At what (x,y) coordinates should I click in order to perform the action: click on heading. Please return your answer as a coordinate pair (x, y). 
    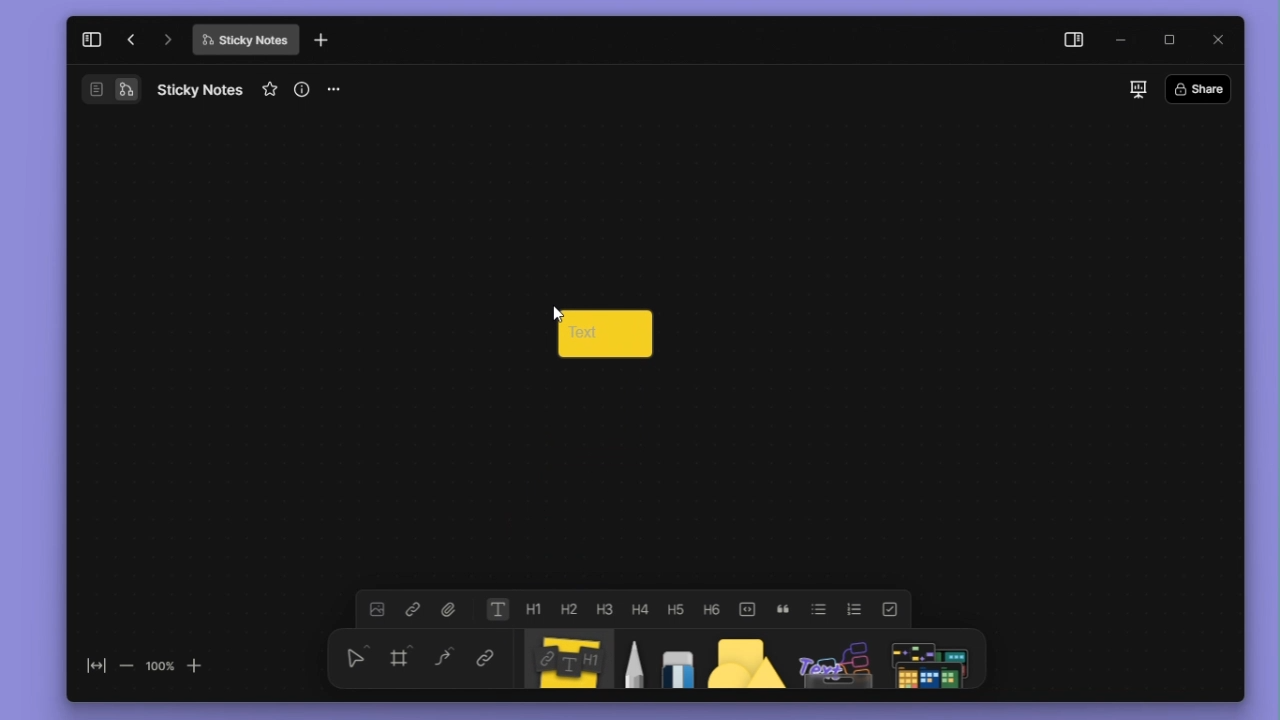
    Looking at the image, I should click on (718, 611).